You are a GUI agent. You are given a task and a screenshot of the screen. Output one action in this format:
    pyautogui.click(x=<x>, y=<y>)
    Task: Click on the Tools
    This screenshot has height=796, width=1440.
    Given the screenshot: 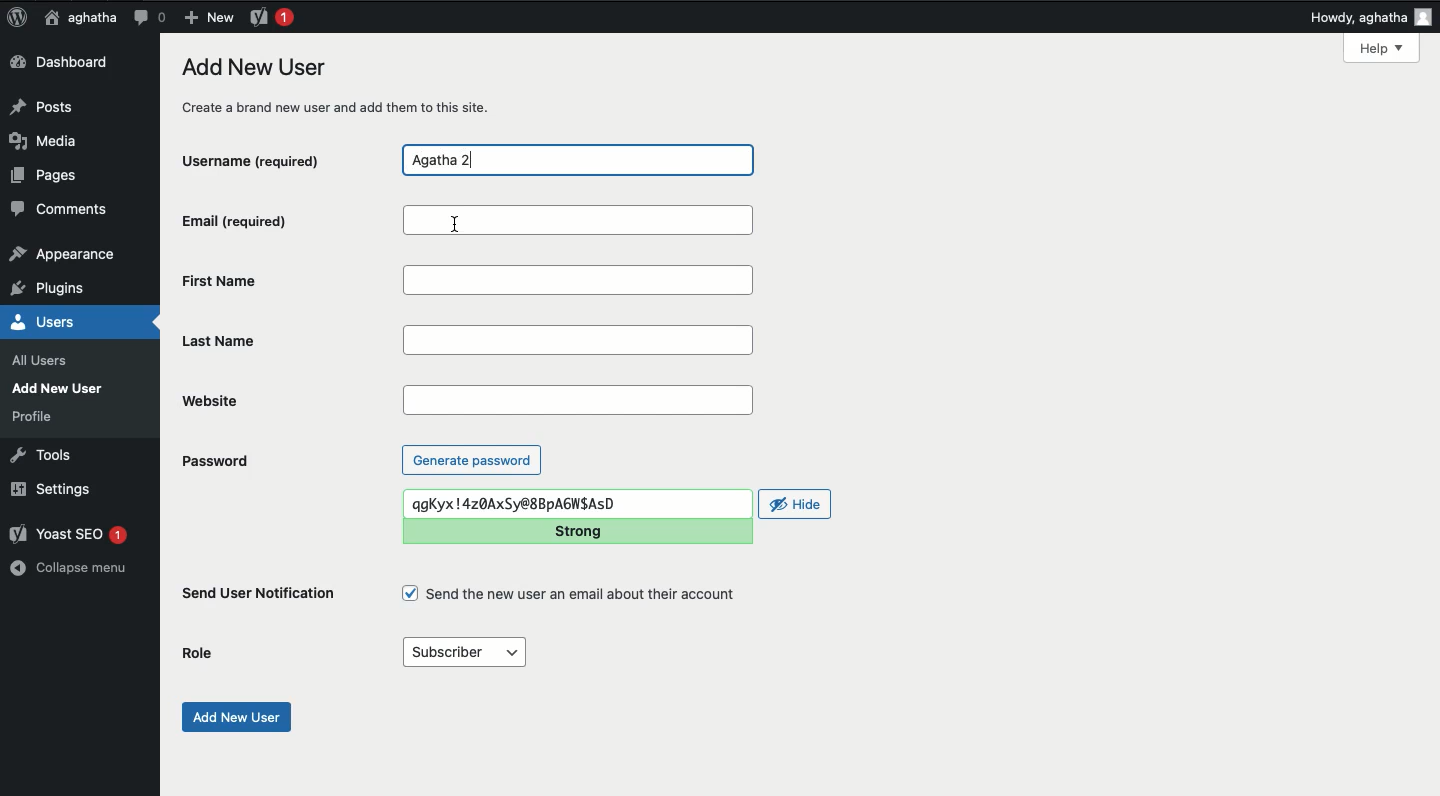 What is the action you would take?
    pyautogui.click(x=42, y=453)
    